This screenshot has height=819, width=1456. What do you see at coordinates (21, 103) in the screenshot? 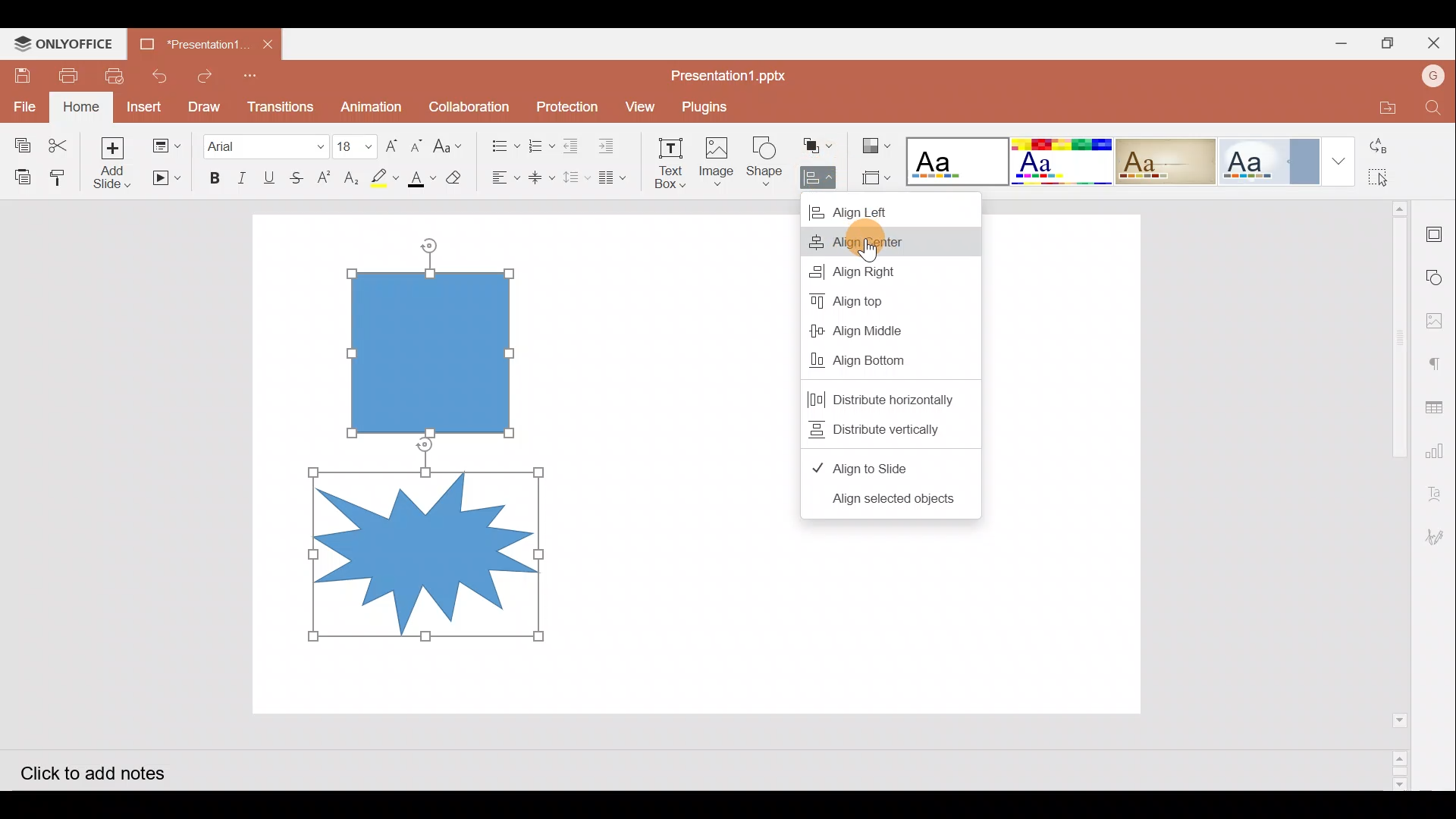
I see `File` at bounding box center [21, 103].